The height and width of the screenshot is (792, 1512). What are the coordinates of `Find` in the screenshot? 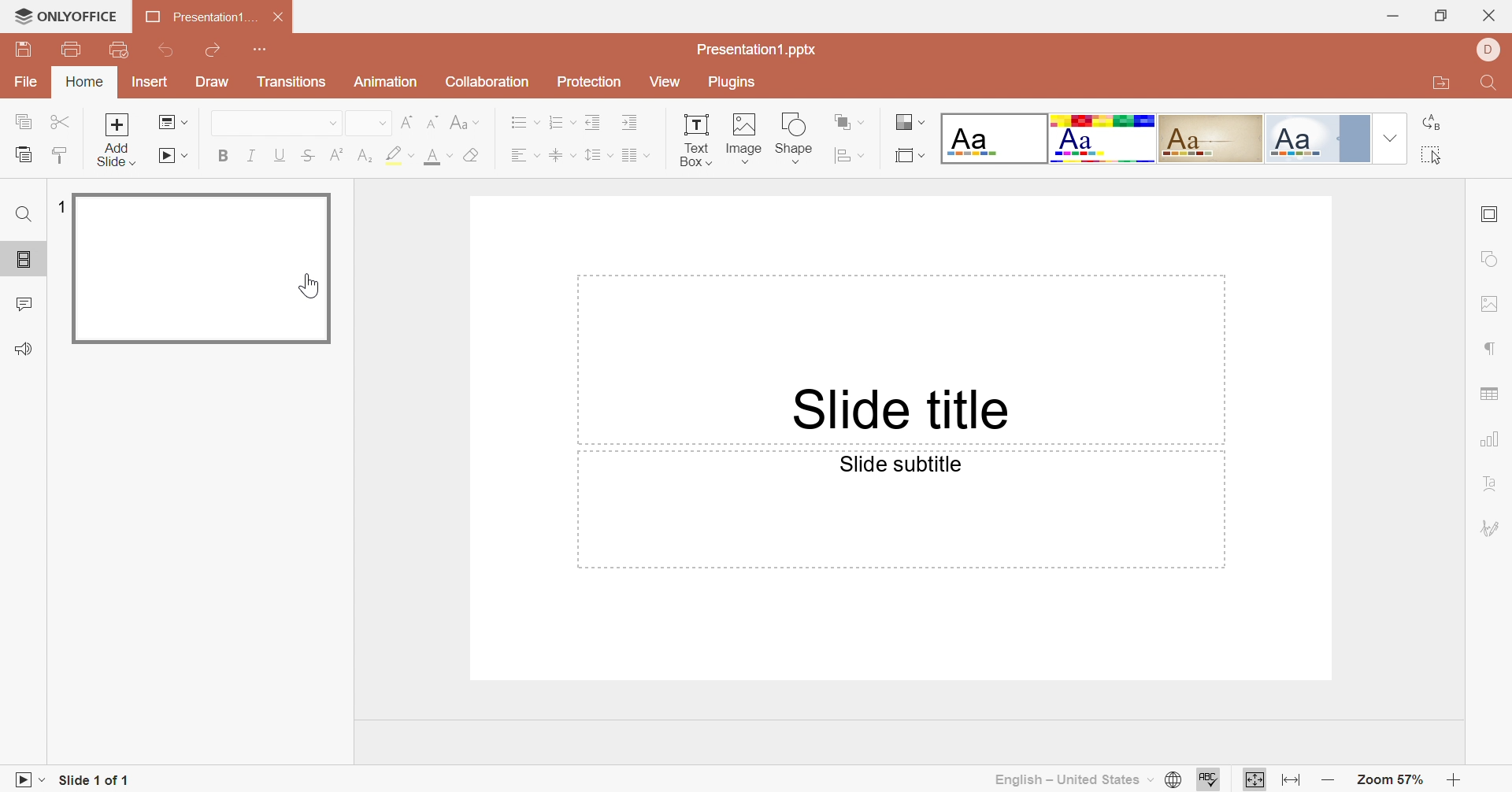 It's located at (1490, 83).